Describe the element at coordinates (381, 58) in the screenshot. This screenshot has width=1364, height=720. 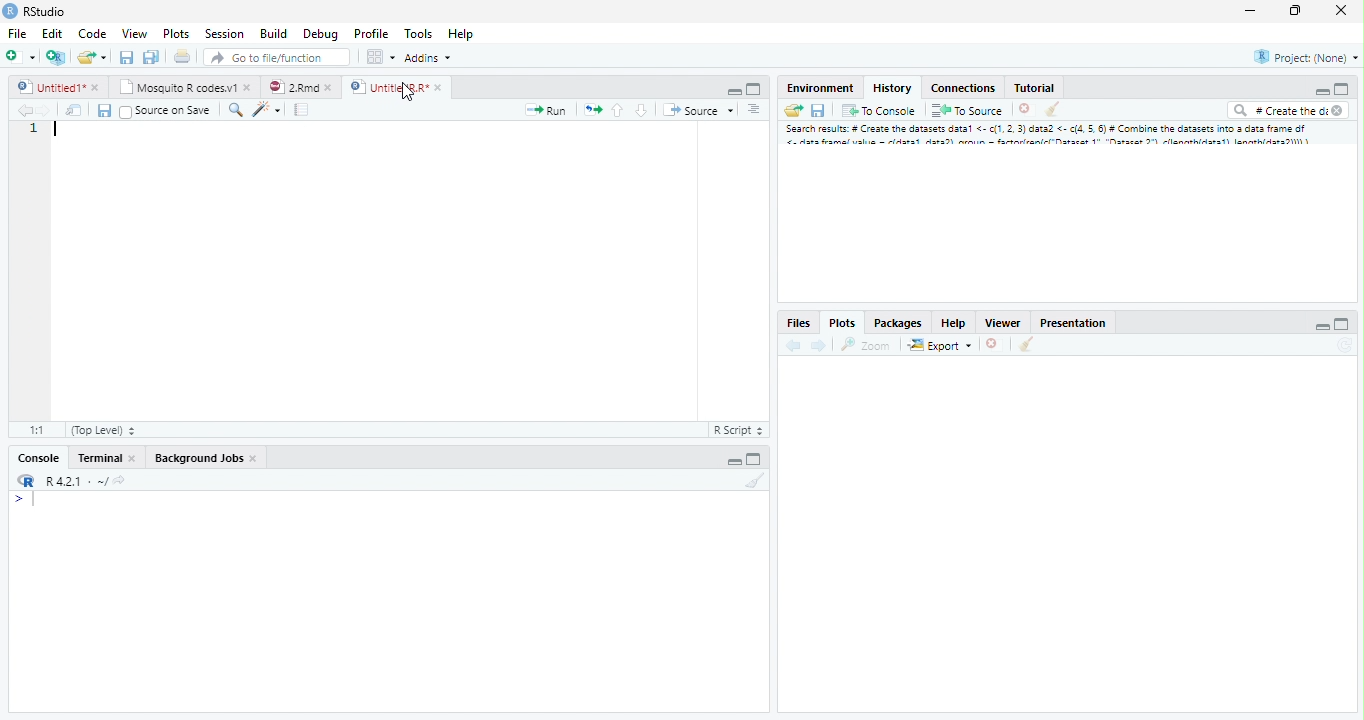
I see `Workspace pane` at that location.